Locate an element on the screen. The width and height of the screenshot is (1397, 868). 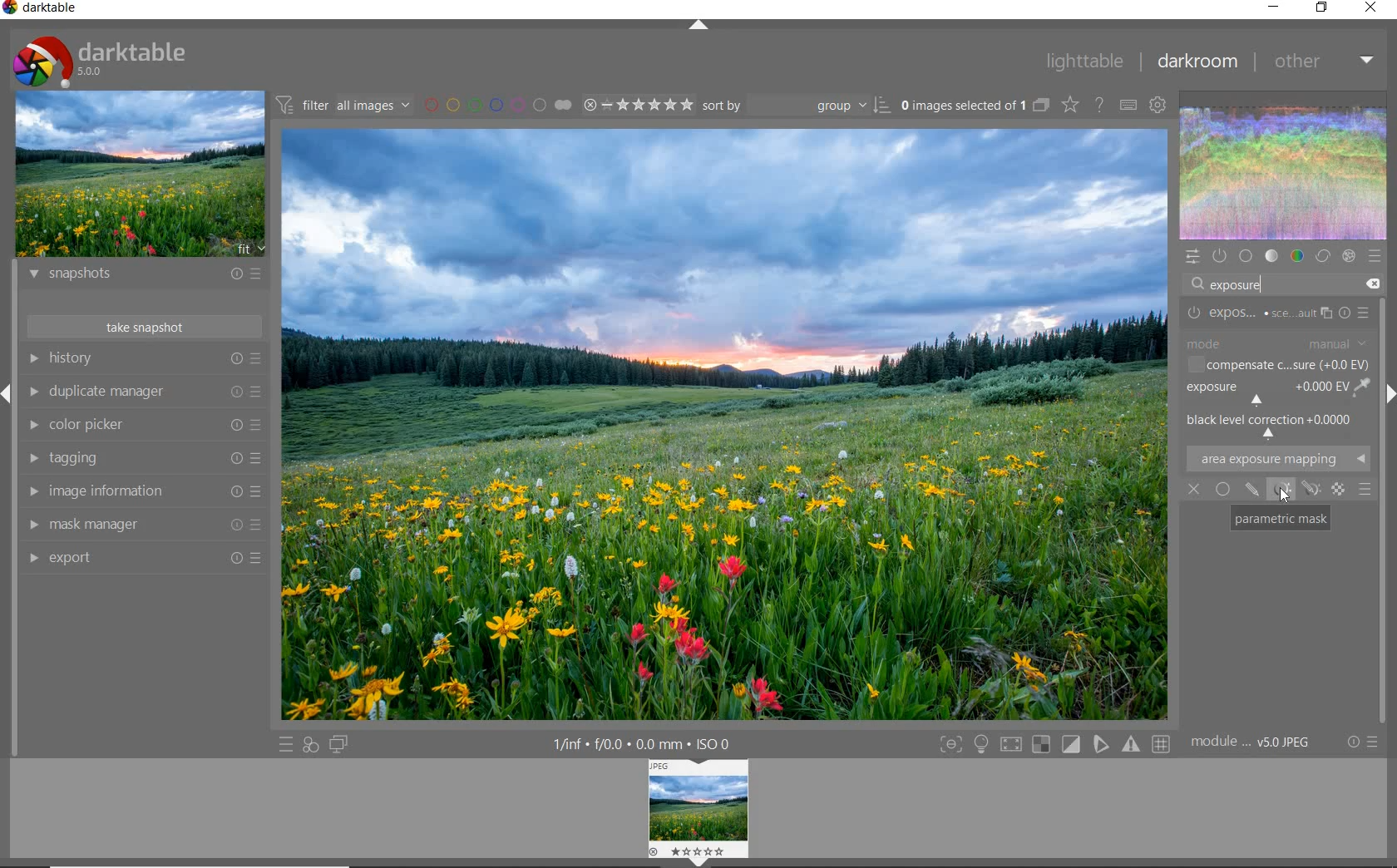
take snapshot is located at coordinates (146, 327).